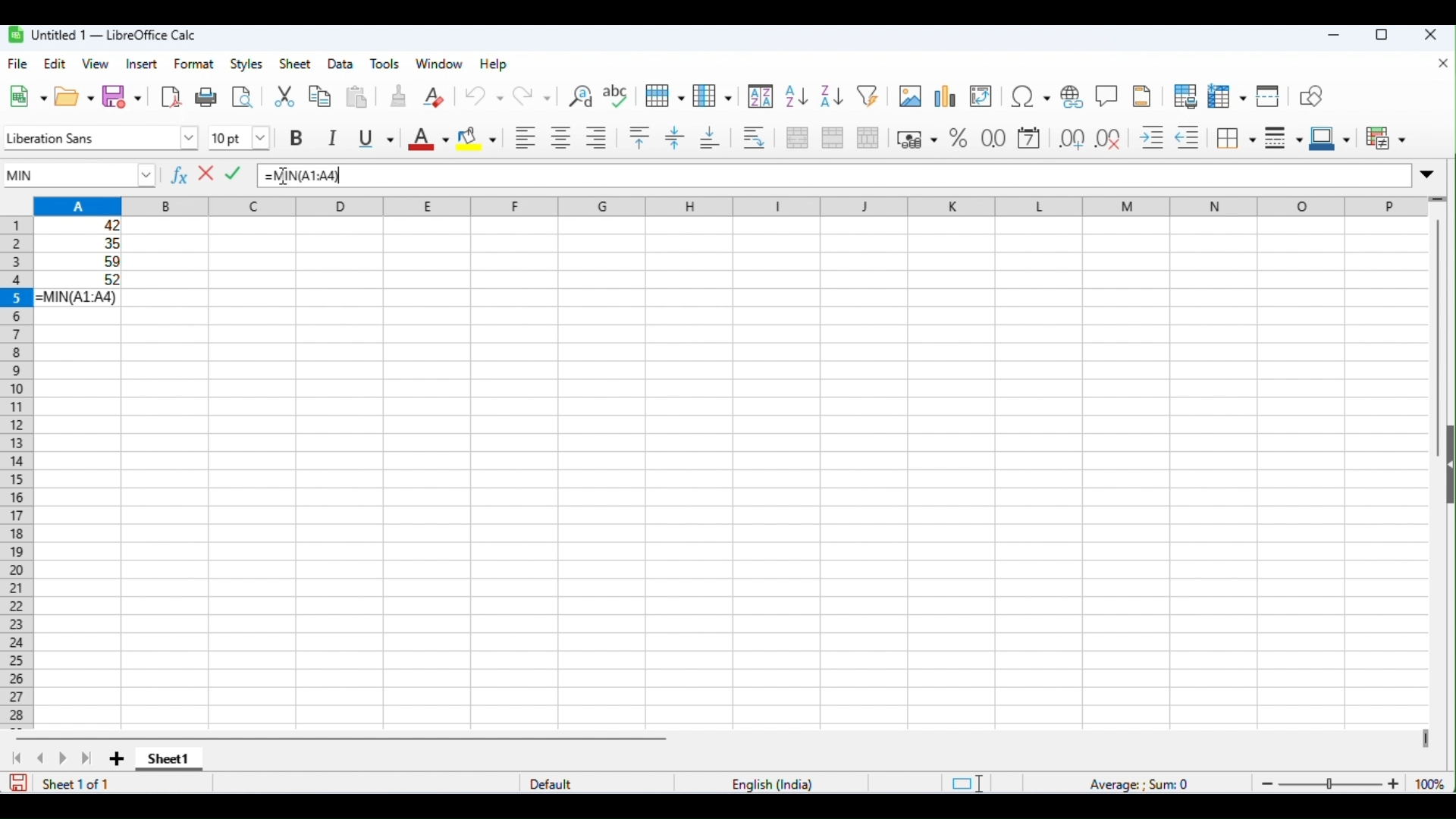 This screenshot has width=1456, height=819. I want to click on border, so click(1235, 139).